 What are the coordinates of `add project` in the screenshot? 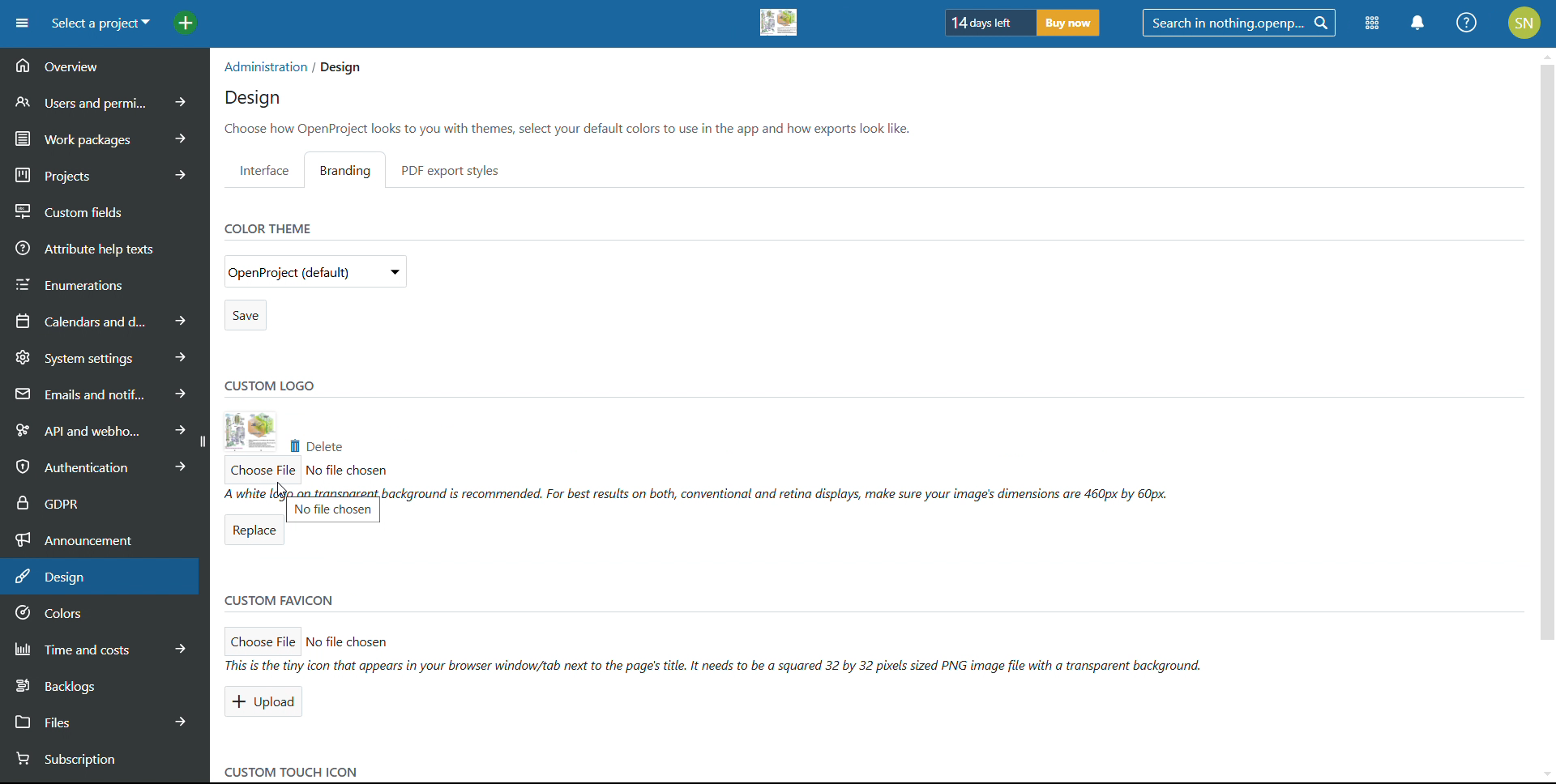 It's located at (186, 23).